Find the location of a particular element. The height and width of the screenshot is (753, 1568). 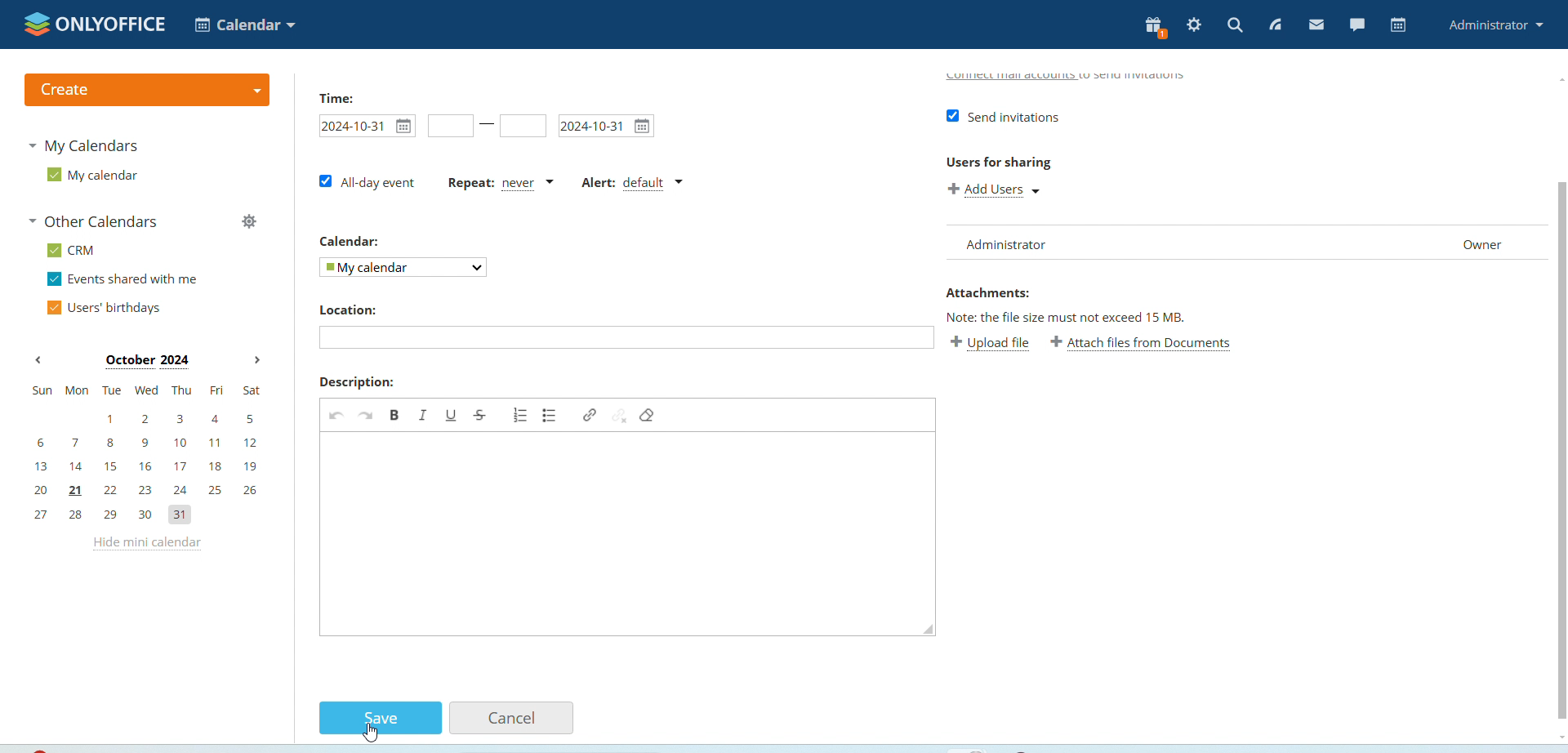

Calendar is located at coordinates (348, 240).